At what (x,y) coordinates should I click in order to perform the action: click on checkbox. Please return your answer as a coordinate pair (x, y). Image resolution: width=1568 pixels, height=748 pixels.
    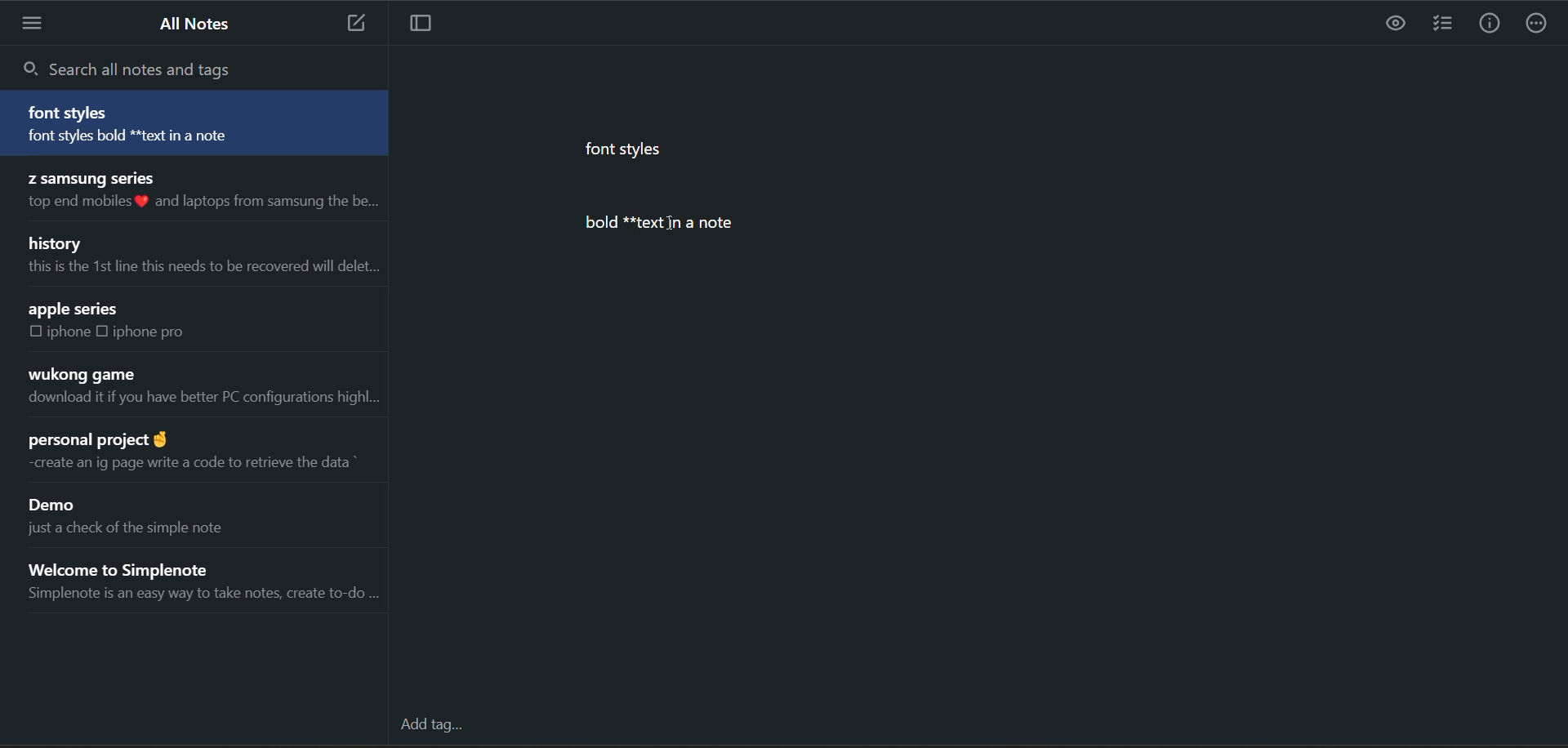
    Looking at the image, I should click on (106, 331).